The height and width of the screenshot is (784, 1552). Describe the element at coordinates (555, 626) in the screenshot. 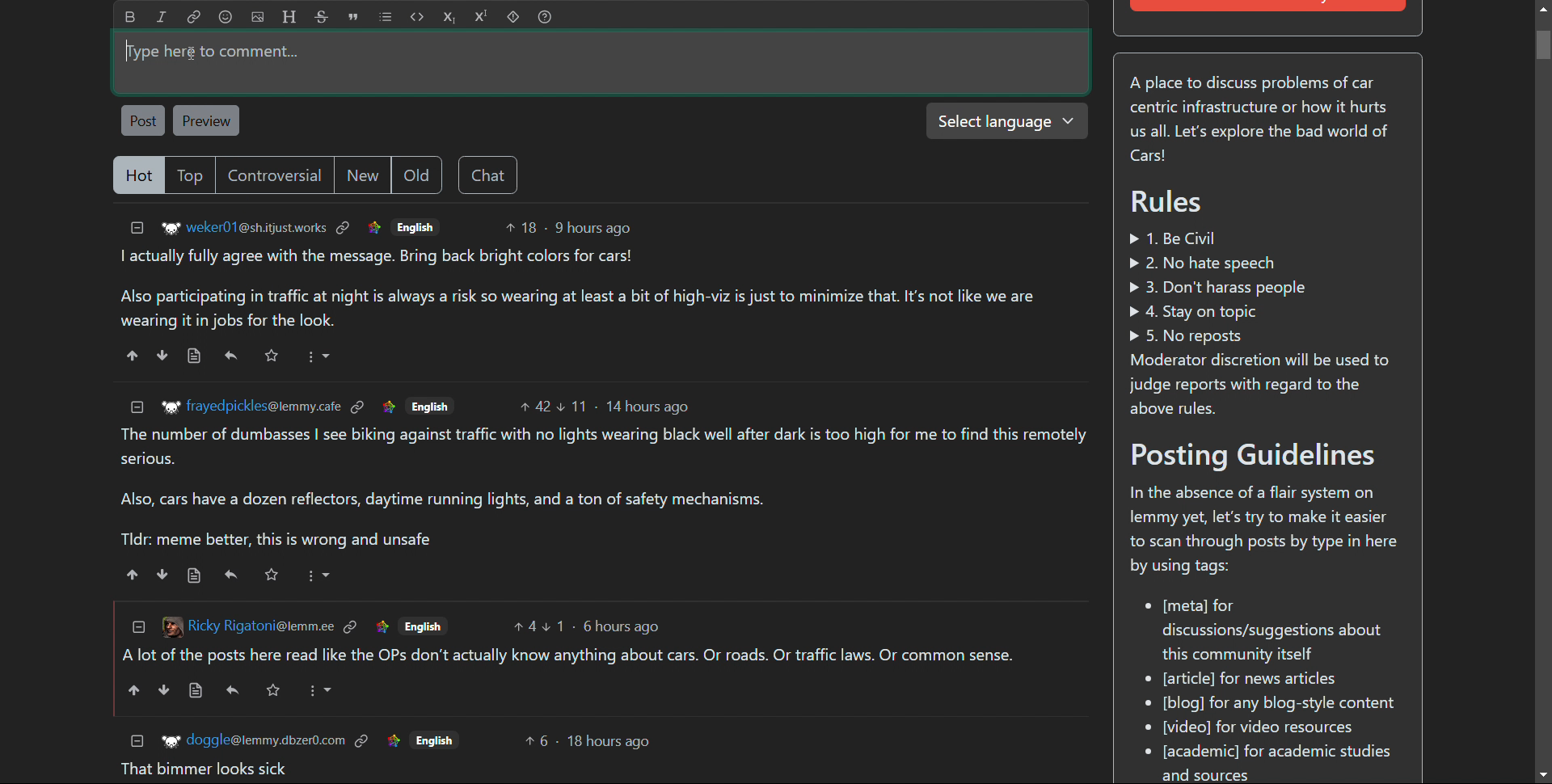

I see `upvotes 1` at that location.